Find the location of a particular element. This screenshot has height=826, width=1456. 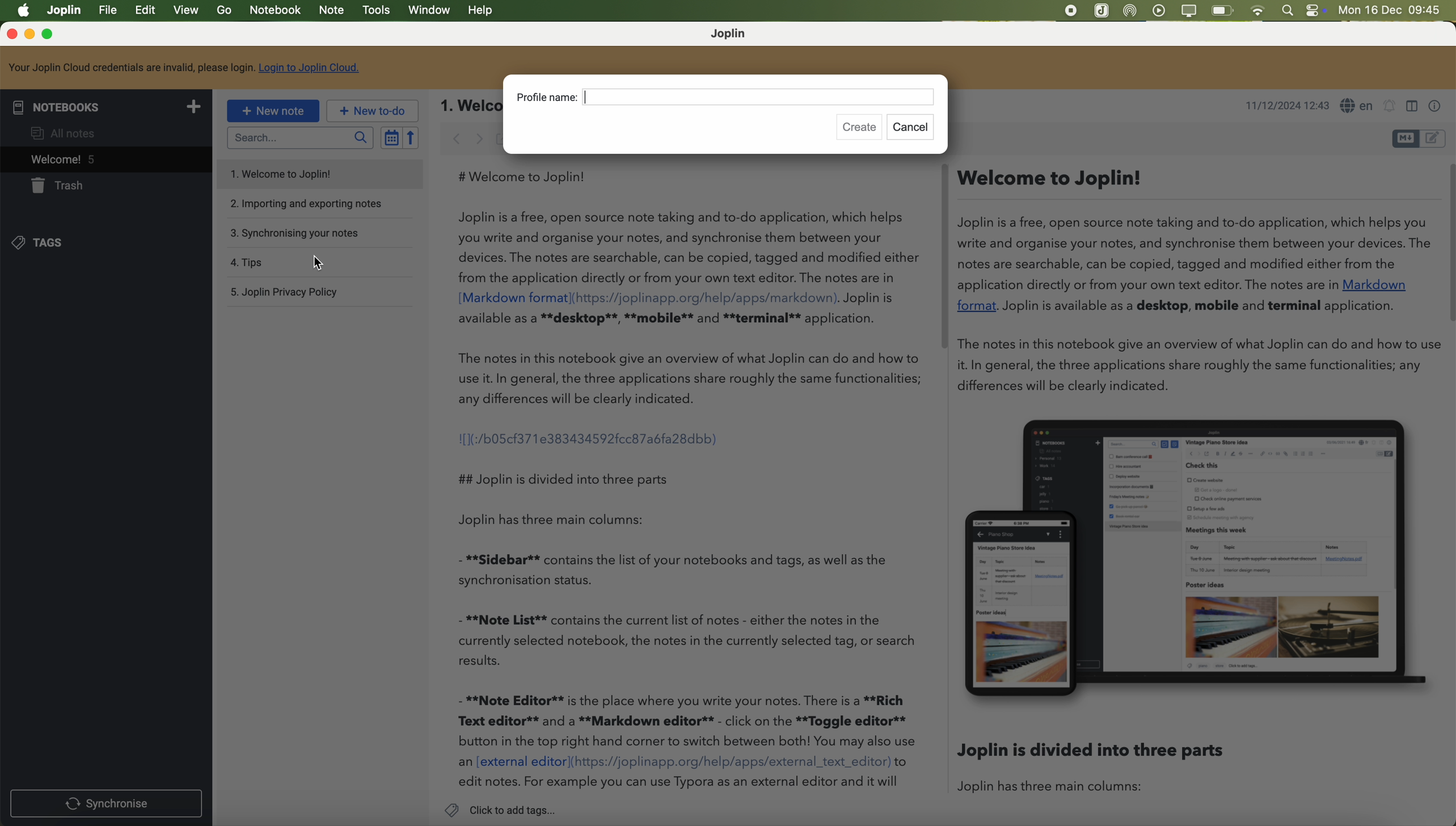

Cursor is located at coordinates (315, 262).